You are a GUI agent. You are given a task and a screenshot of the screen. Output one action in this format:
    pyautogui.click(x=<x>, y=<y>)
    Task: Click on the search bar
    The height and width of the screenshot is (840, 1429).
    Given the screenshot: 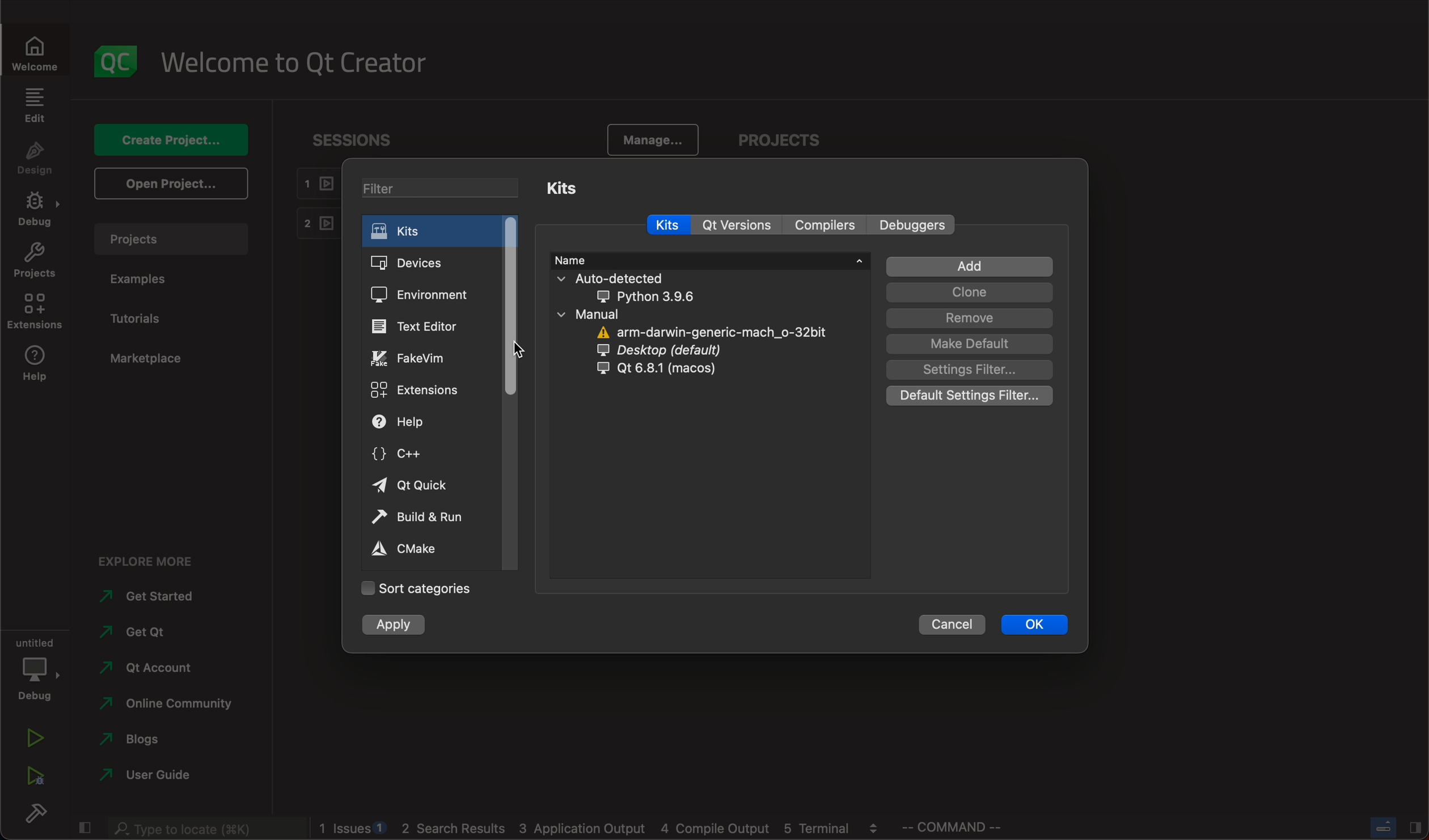 What is the action you would take?
    pyautogui.click(x=204, y=828)
    